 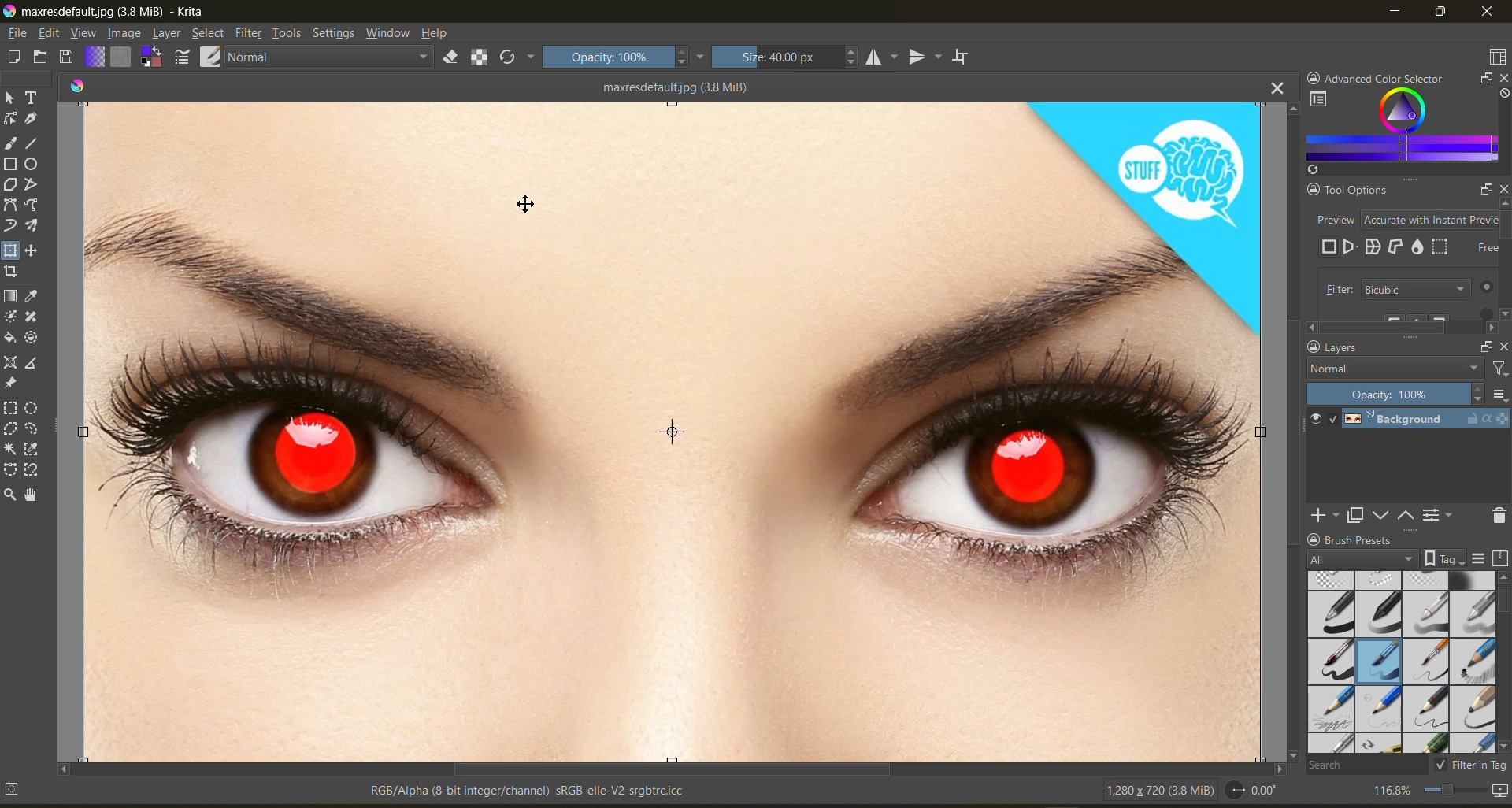 I want to click on select, so click(x=209, y=35).